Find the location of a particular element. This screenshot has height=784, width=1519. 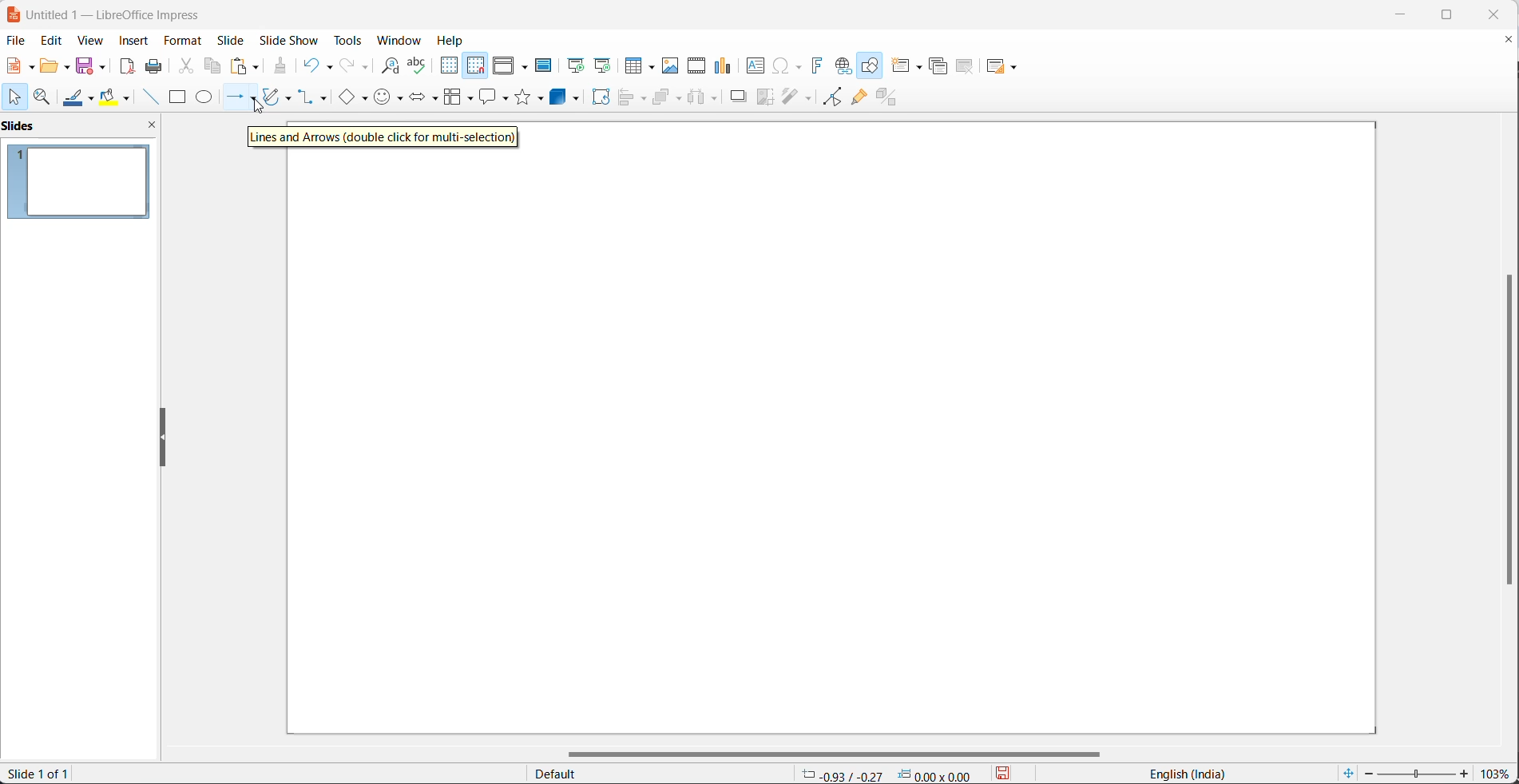

ellipse is located at coordinates (204, 98).